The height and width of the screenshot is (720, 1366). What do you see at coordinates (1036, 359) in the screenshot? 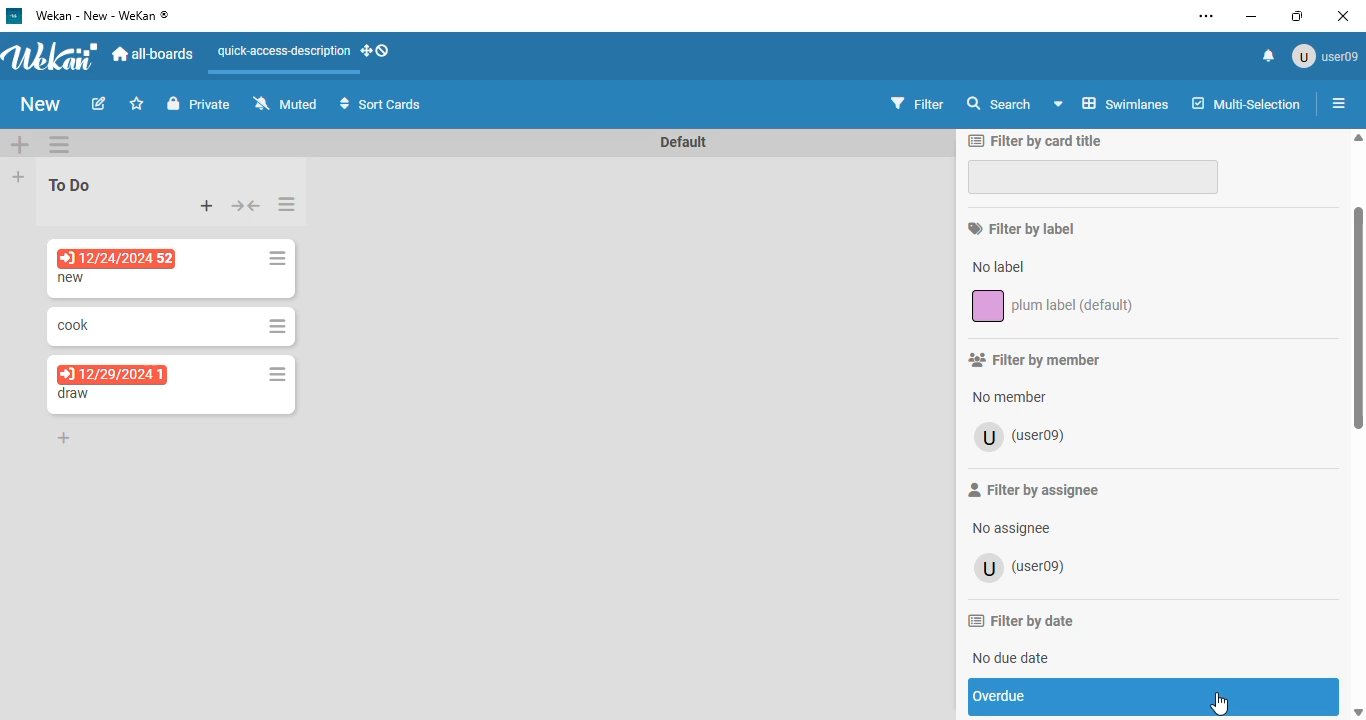
I see `filter by member` at bounding box center [1036, 359].